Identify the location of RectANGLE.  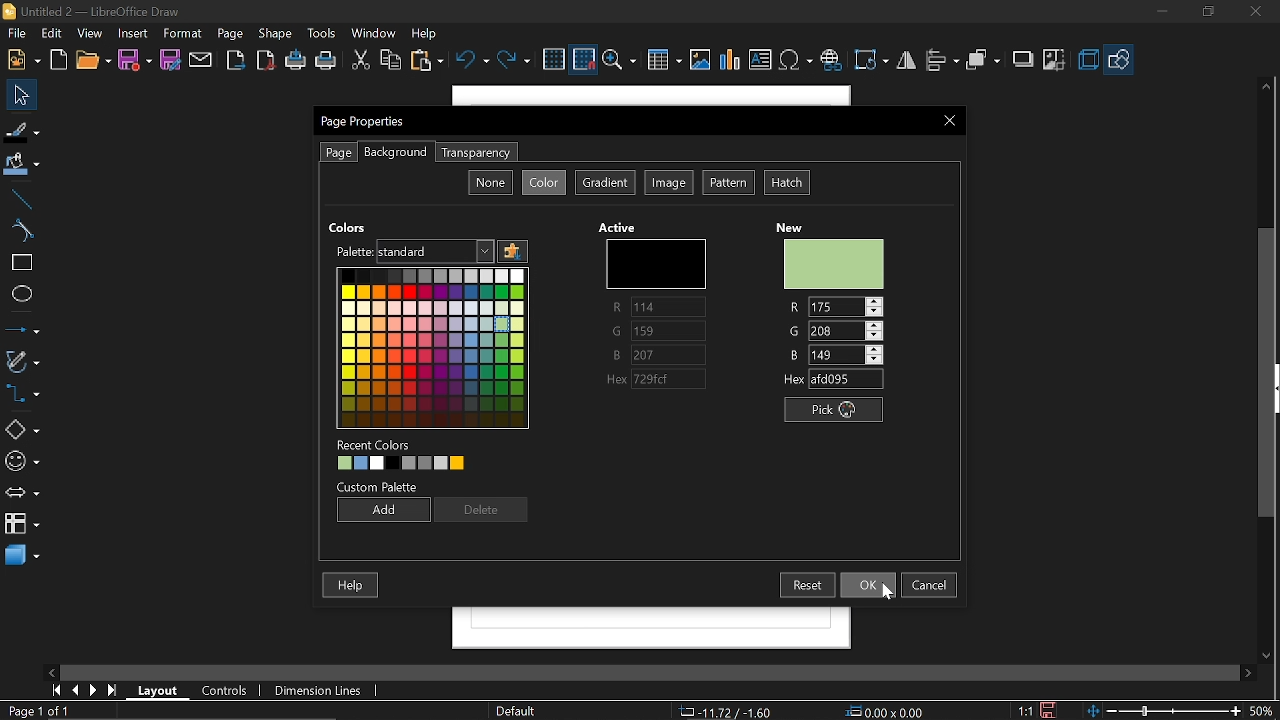
(19, 263).